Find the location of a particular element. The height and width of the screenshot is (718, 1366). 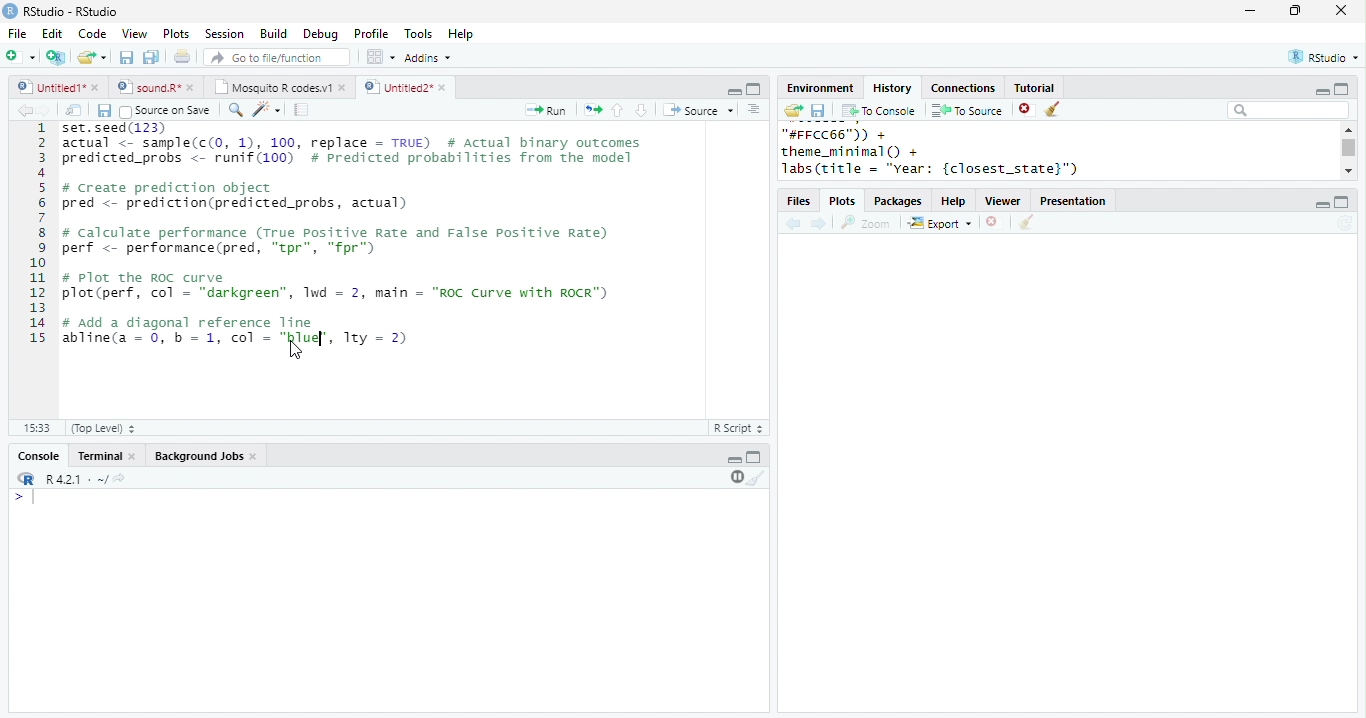

Mosquito R codes.v1 is located at coordinates (273, 87).